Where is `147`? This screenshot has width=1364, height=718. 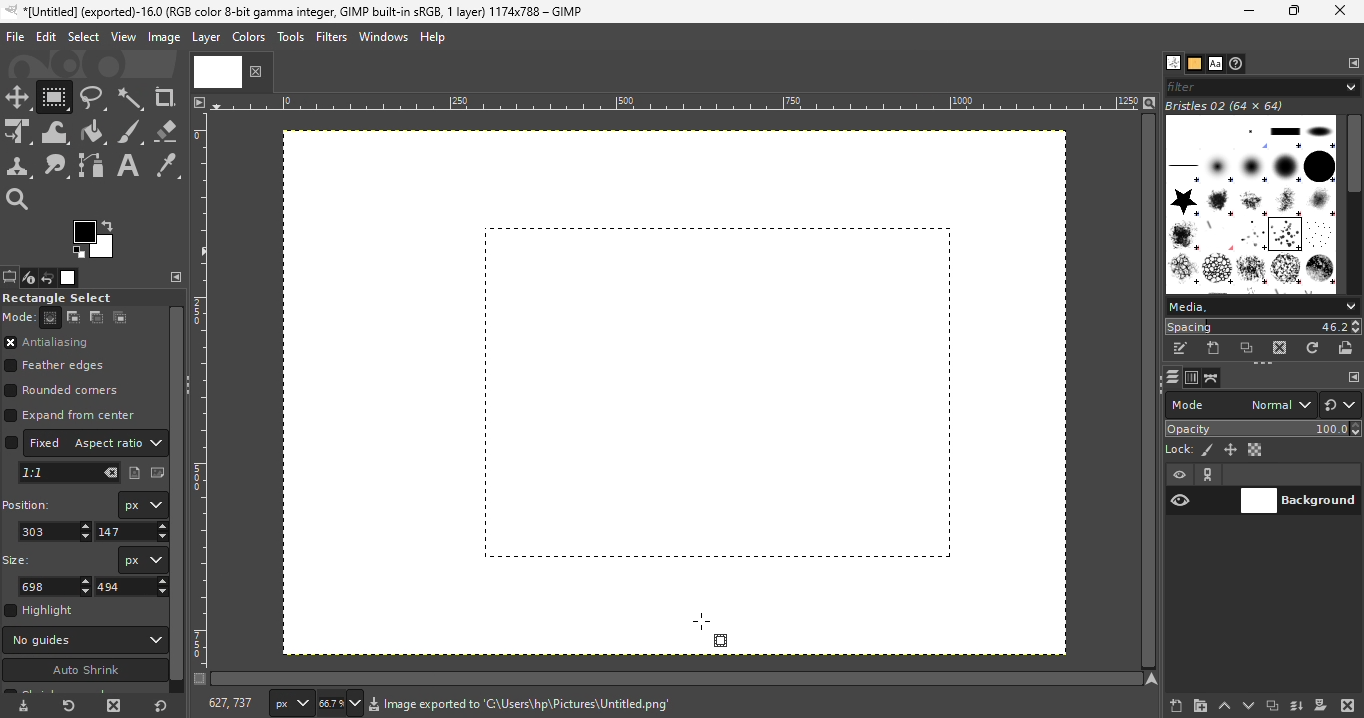 147 is located at coordinates (132, 532).